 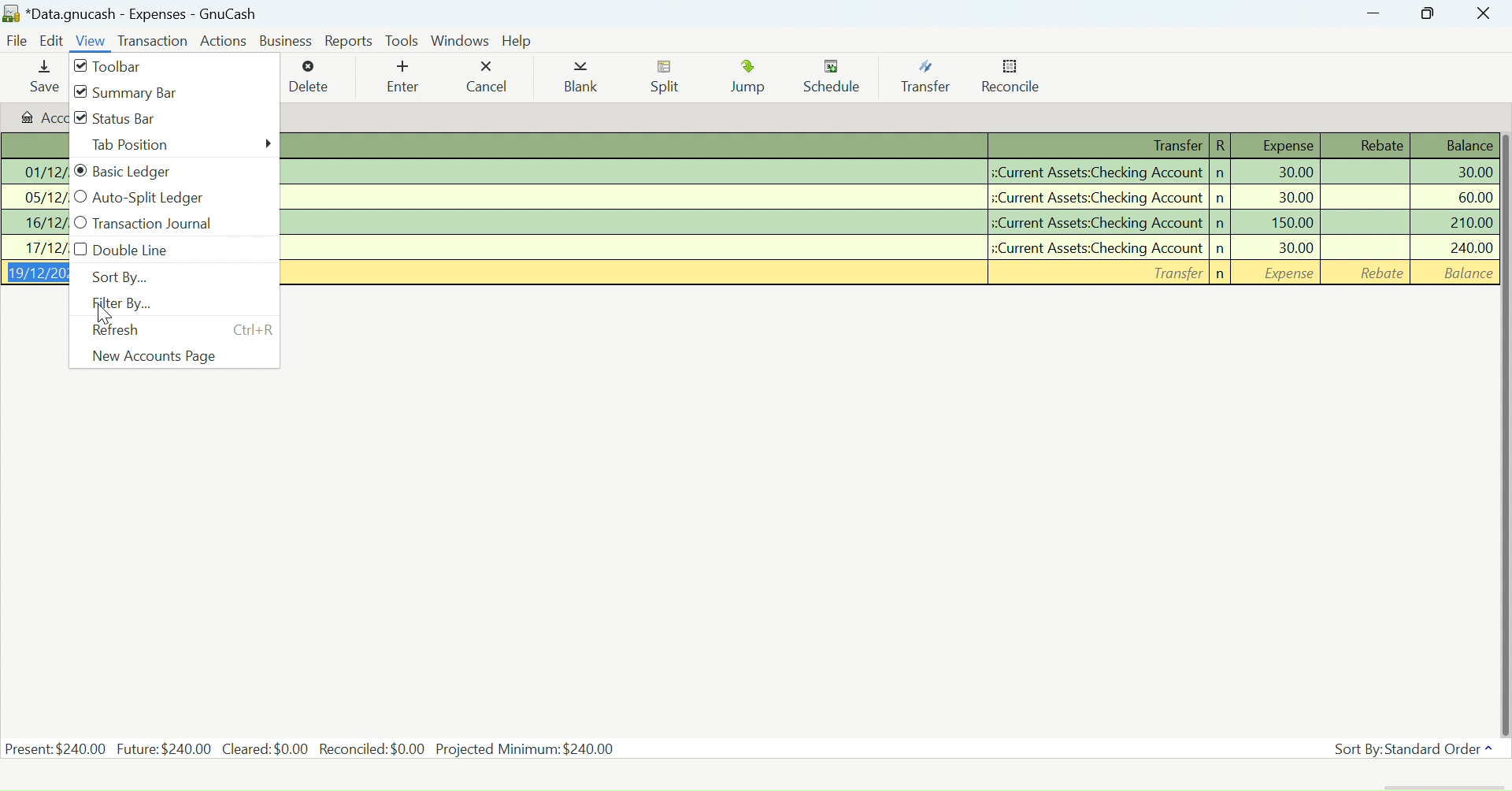 I want to click on Checkbox, so click(x=80, y=222).